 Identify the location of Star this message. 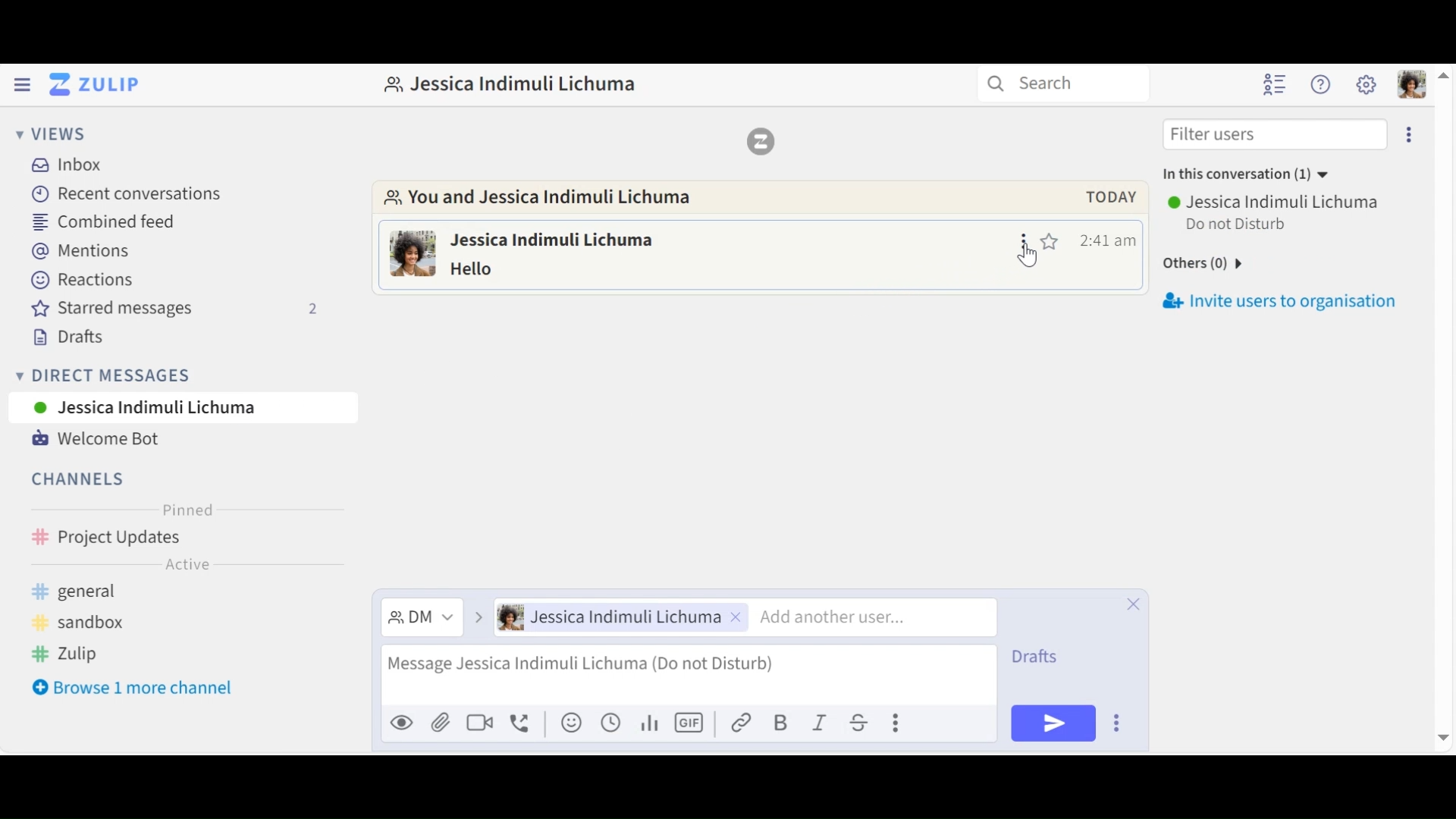
(1053, 240).